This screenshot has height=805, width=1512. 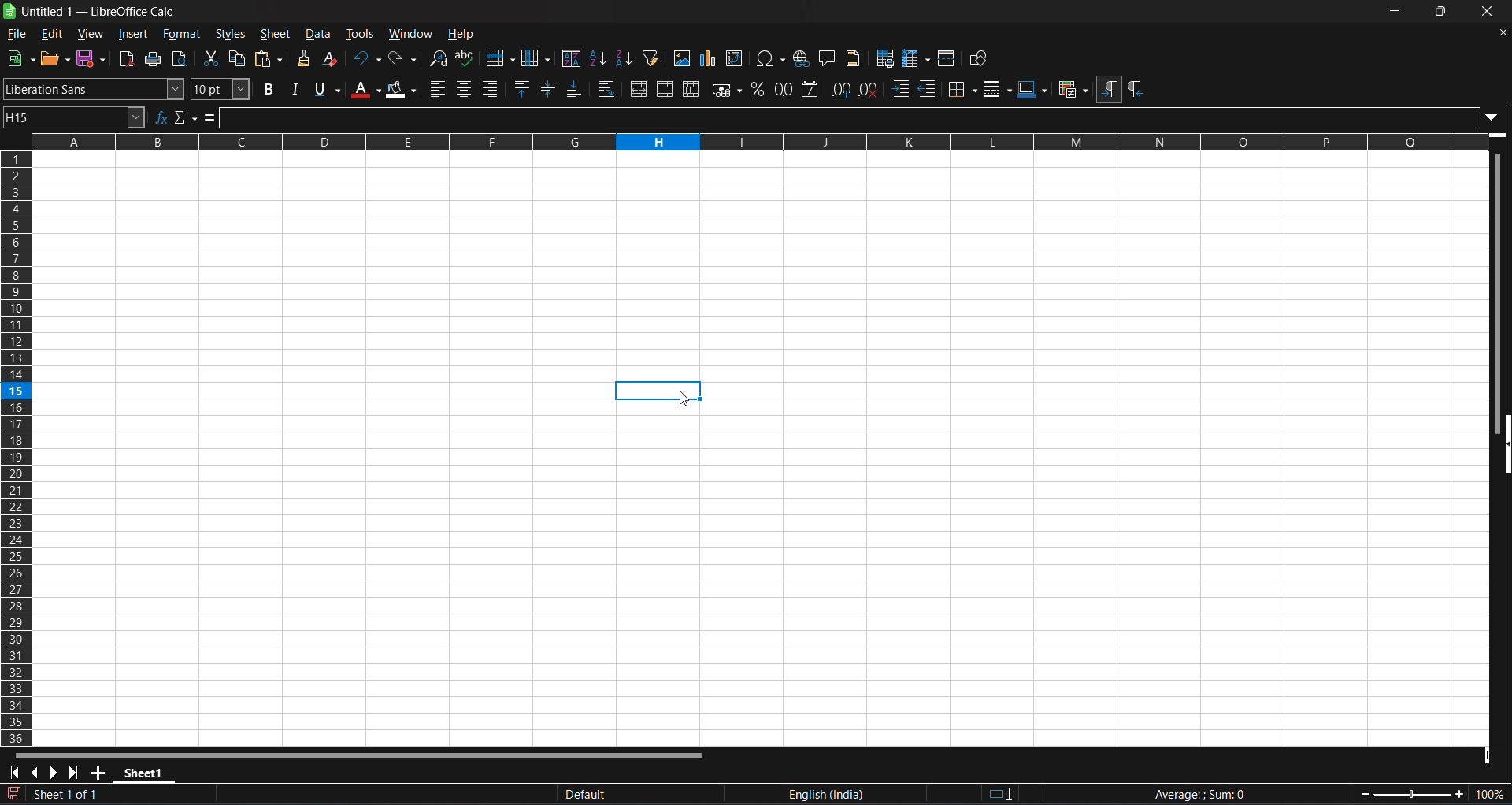 What do you see at coordinates (399, 90) in the screenshot?
I see `background color` at bounding box center [399, 90].